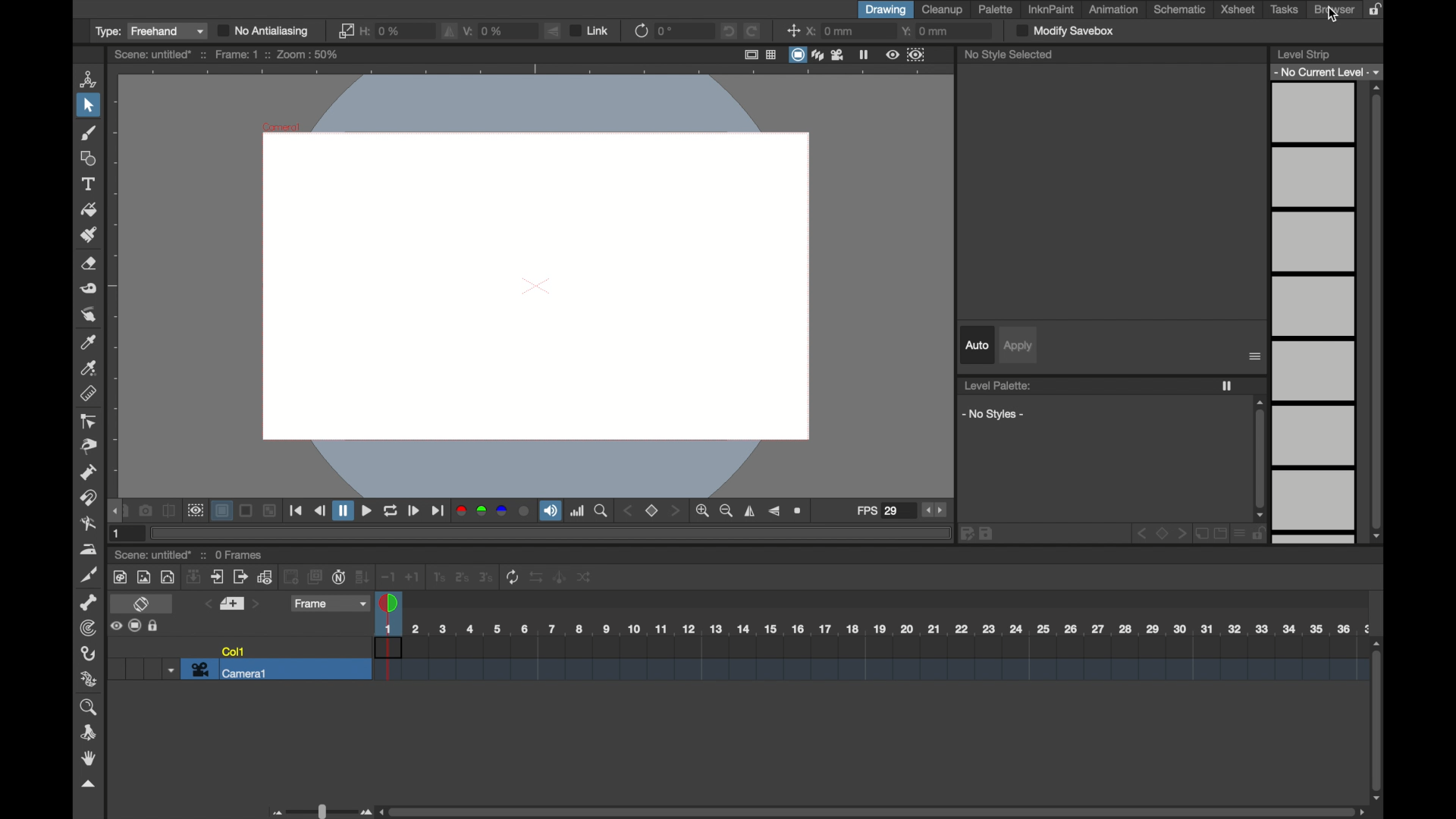 The image size is (1456, 819). I want to click on dropdown, so click(171, 671).